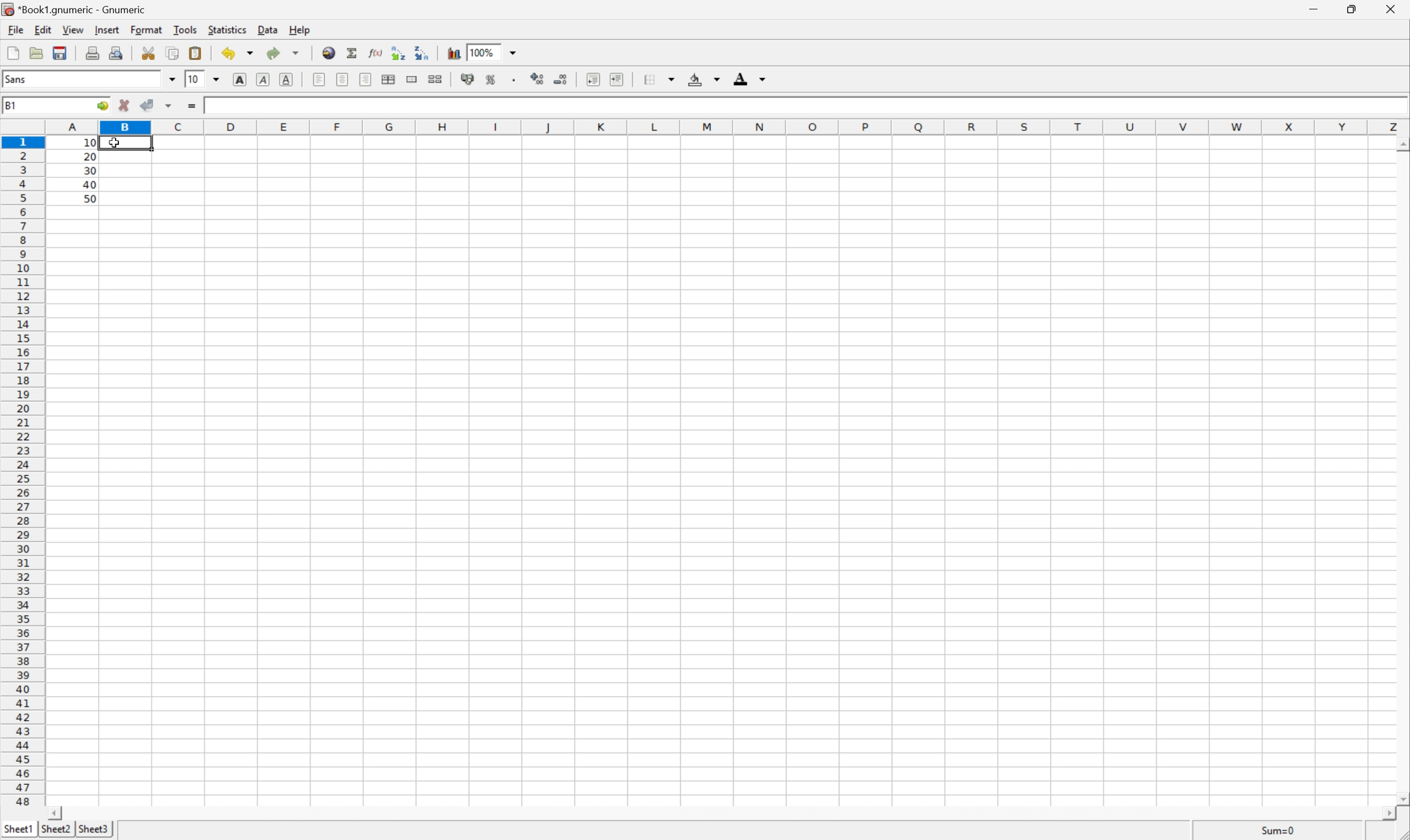 Image resolution: width=1410 pixels, height=840 pixels. Describe the element at coordinates (269, 30) in the screenshot. I see `Data` at that location.